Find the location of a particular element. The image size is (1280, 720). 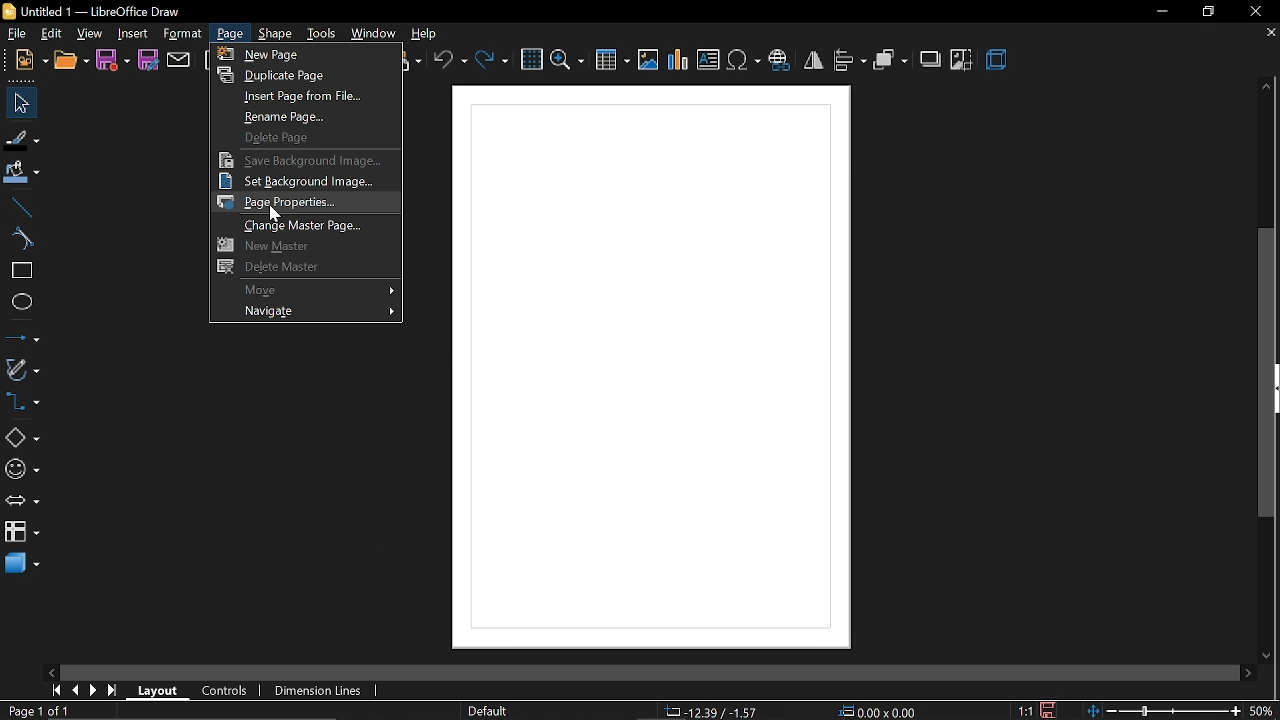

scaling factor is located at coordinates (1025, 711).